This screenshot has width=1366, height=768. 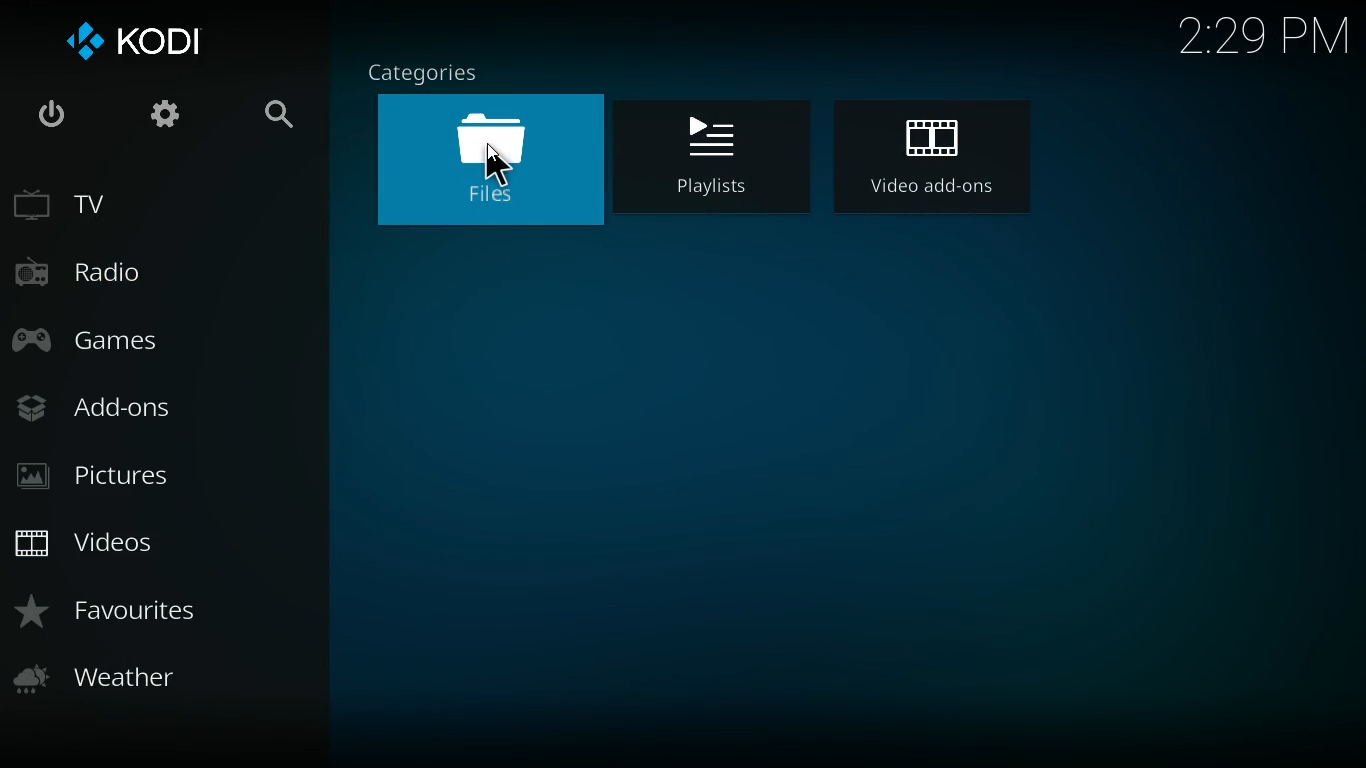 I want to click on favorites, so click(x=158, y=609).